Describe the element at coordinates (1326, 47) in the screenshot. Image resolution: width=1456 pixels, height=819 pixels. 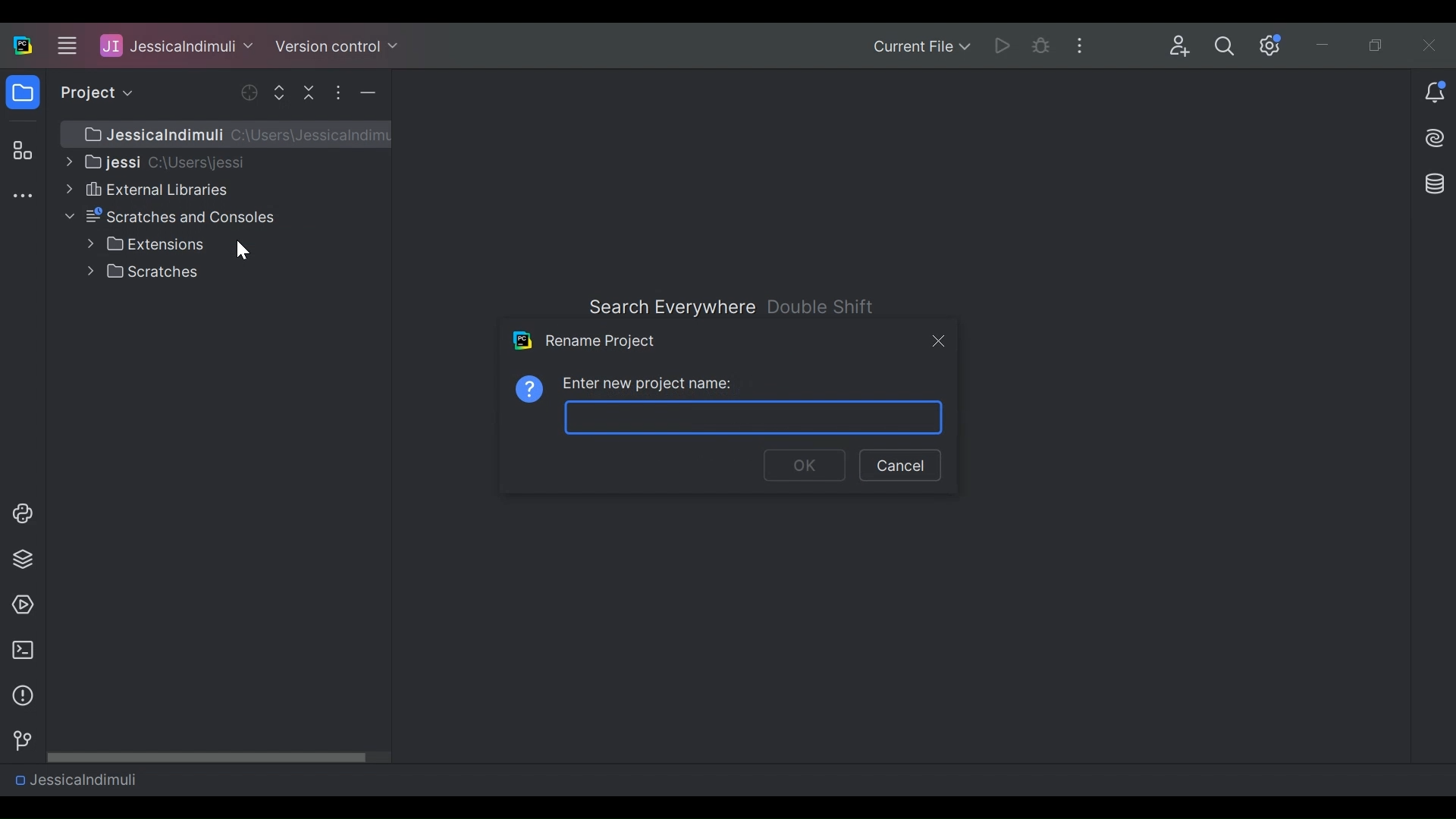
I see `Minimize` at that location.